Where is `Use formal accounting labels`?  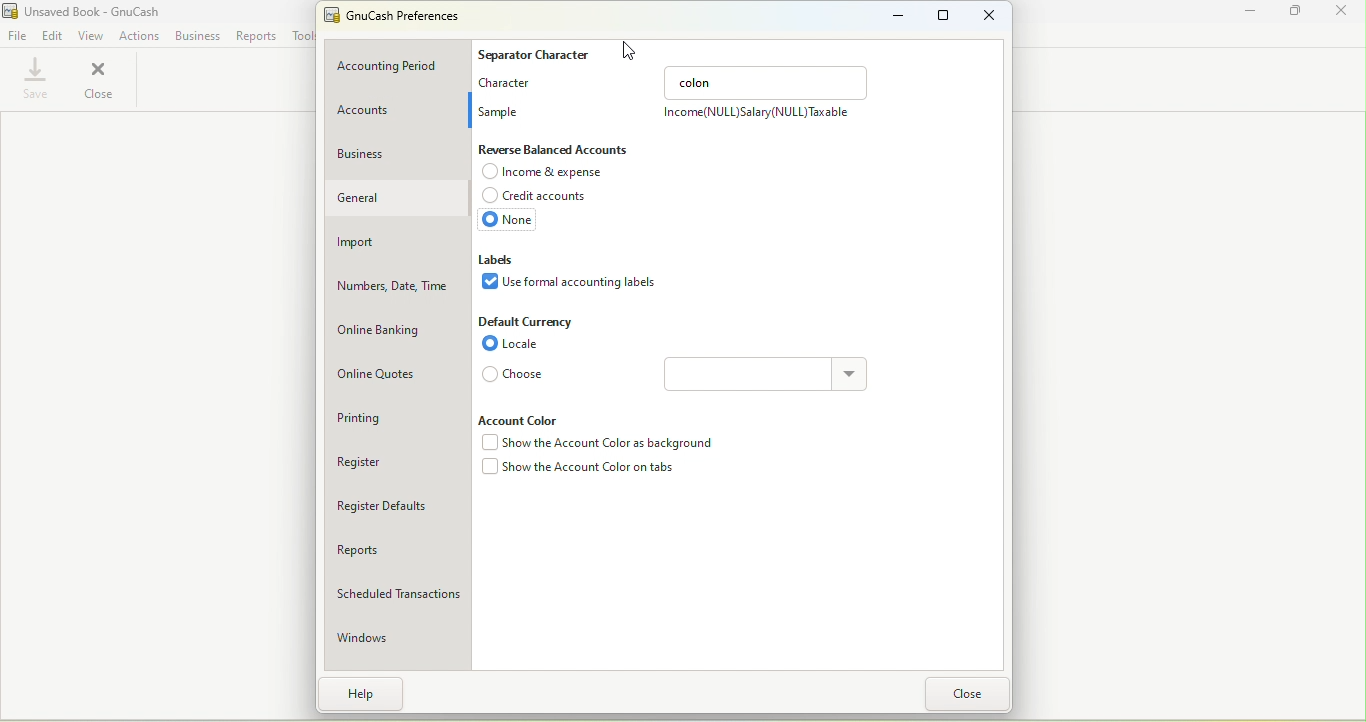
Use formal accounting labels is located at coordinates (572, 286).